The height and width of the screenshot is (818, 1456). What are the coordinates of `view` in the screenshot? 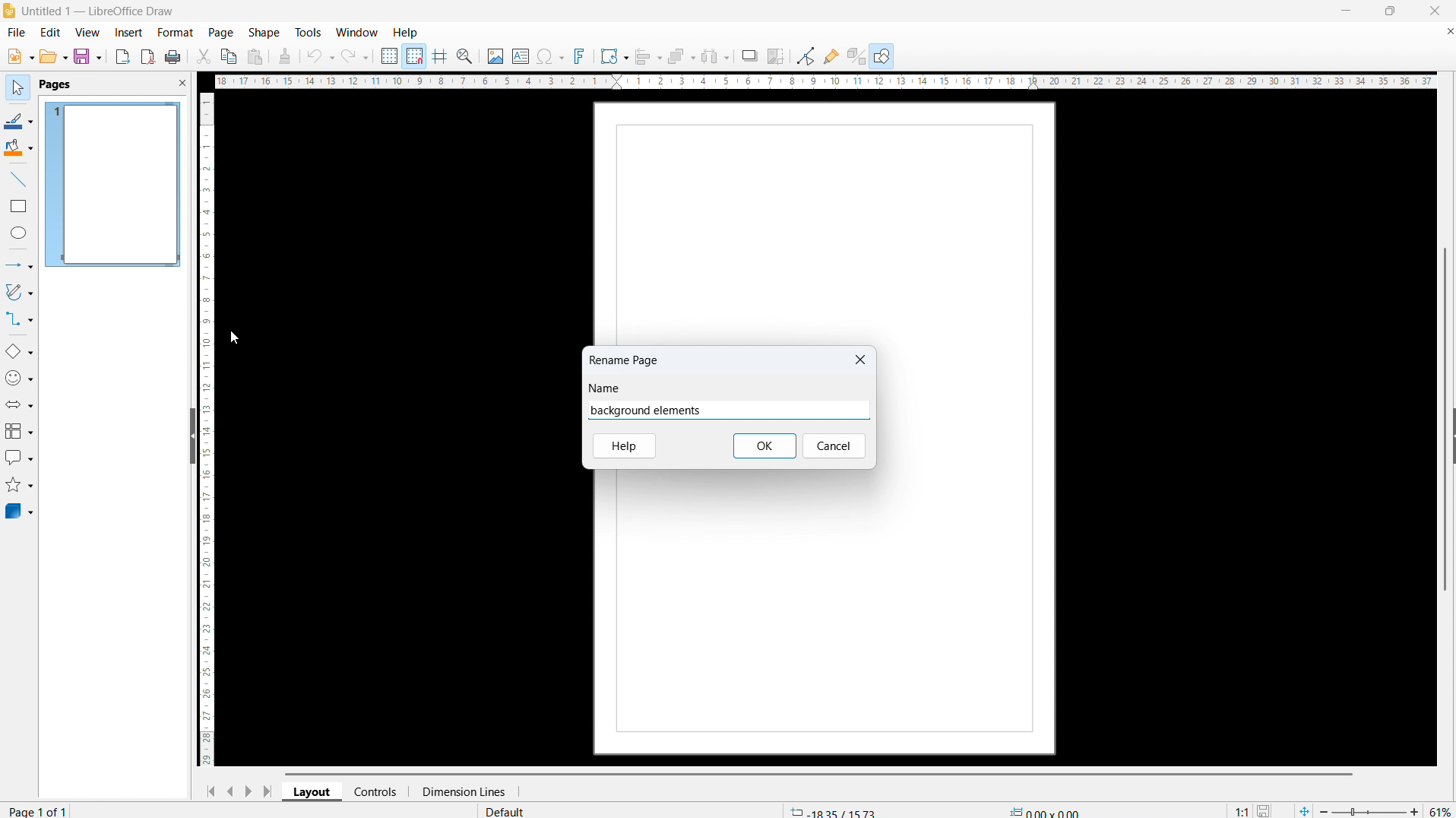 It's located at (87, 33).